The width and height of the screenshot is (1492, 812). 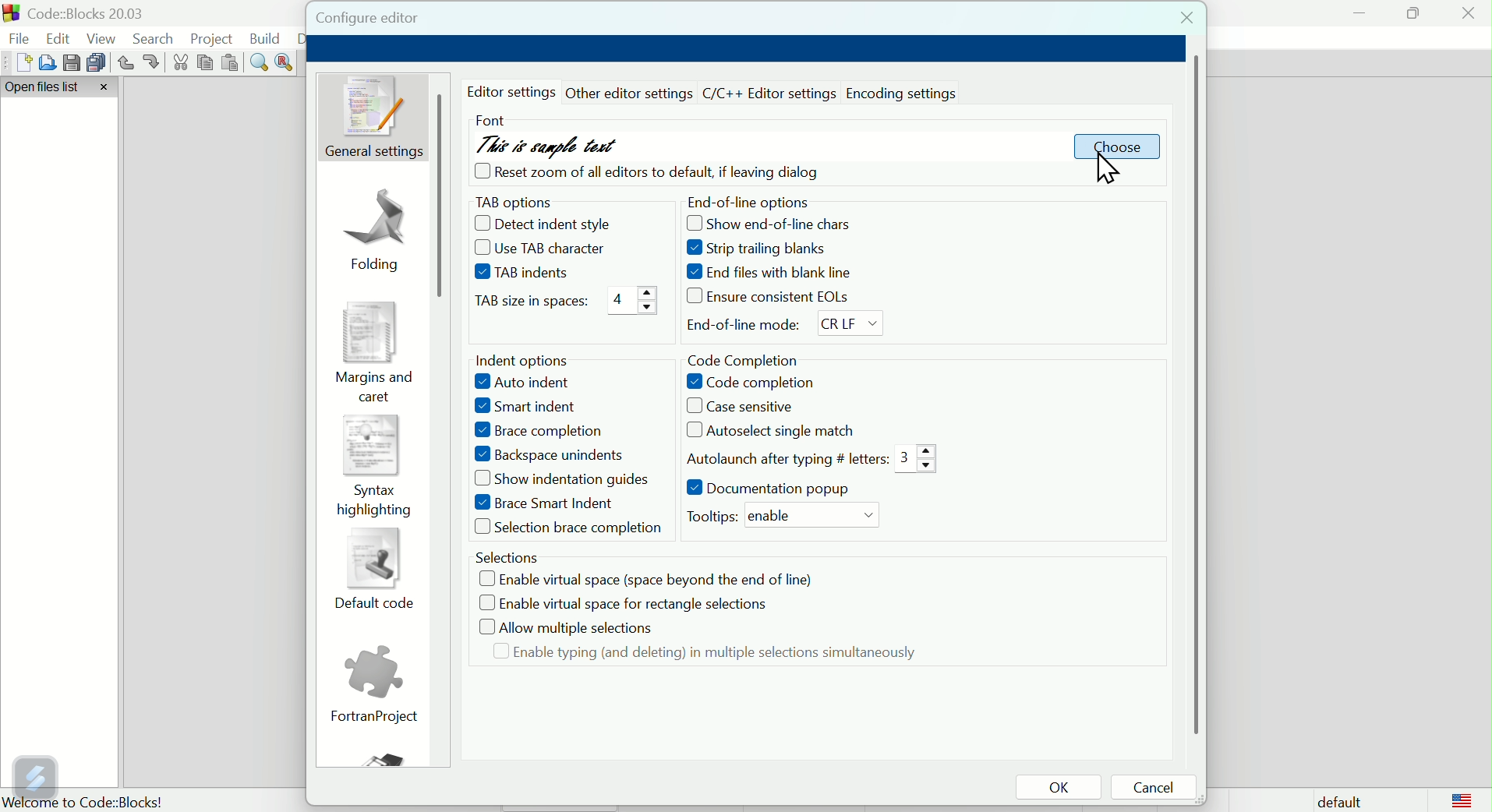 What do you see at coordinates (1412, 12) in the screenshot?
I see `maximise` at bounding box center [1412, 12].